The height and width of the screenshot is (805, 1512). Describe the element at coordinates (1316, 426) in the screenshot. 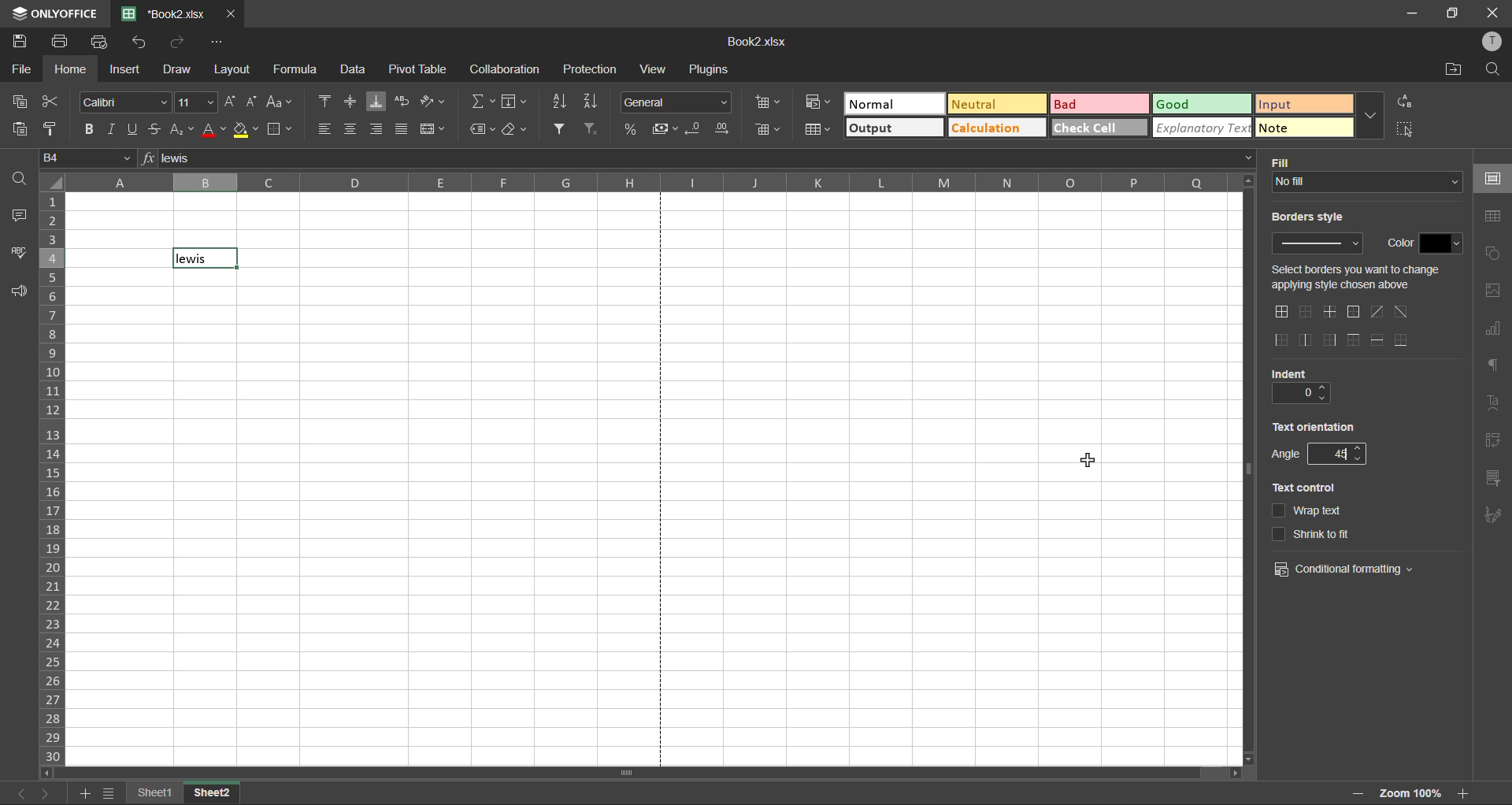

I see `text orientation ` at that location.